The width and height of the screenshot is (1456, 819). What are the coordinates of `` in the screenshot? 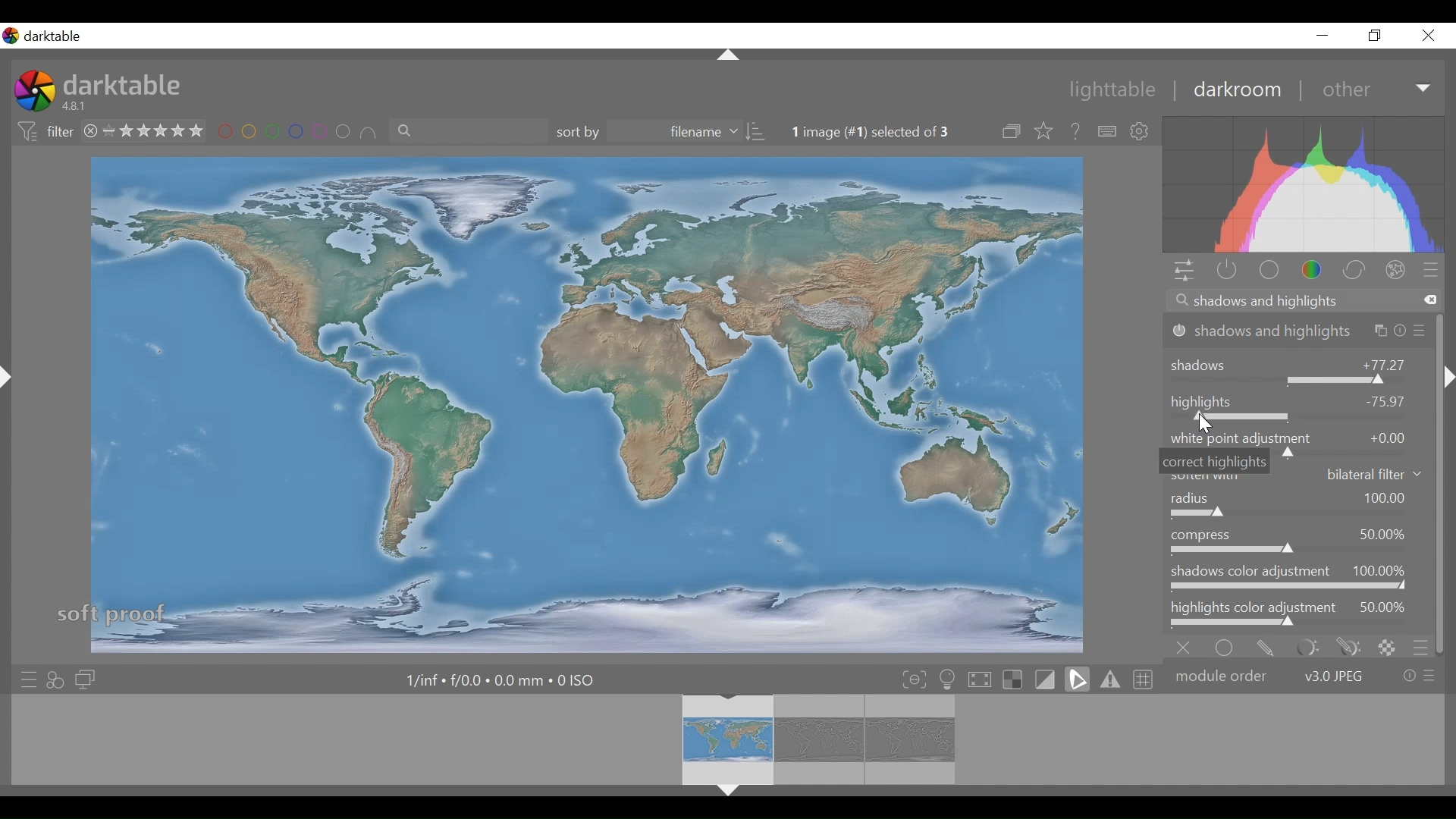 It's located at (729, 55).